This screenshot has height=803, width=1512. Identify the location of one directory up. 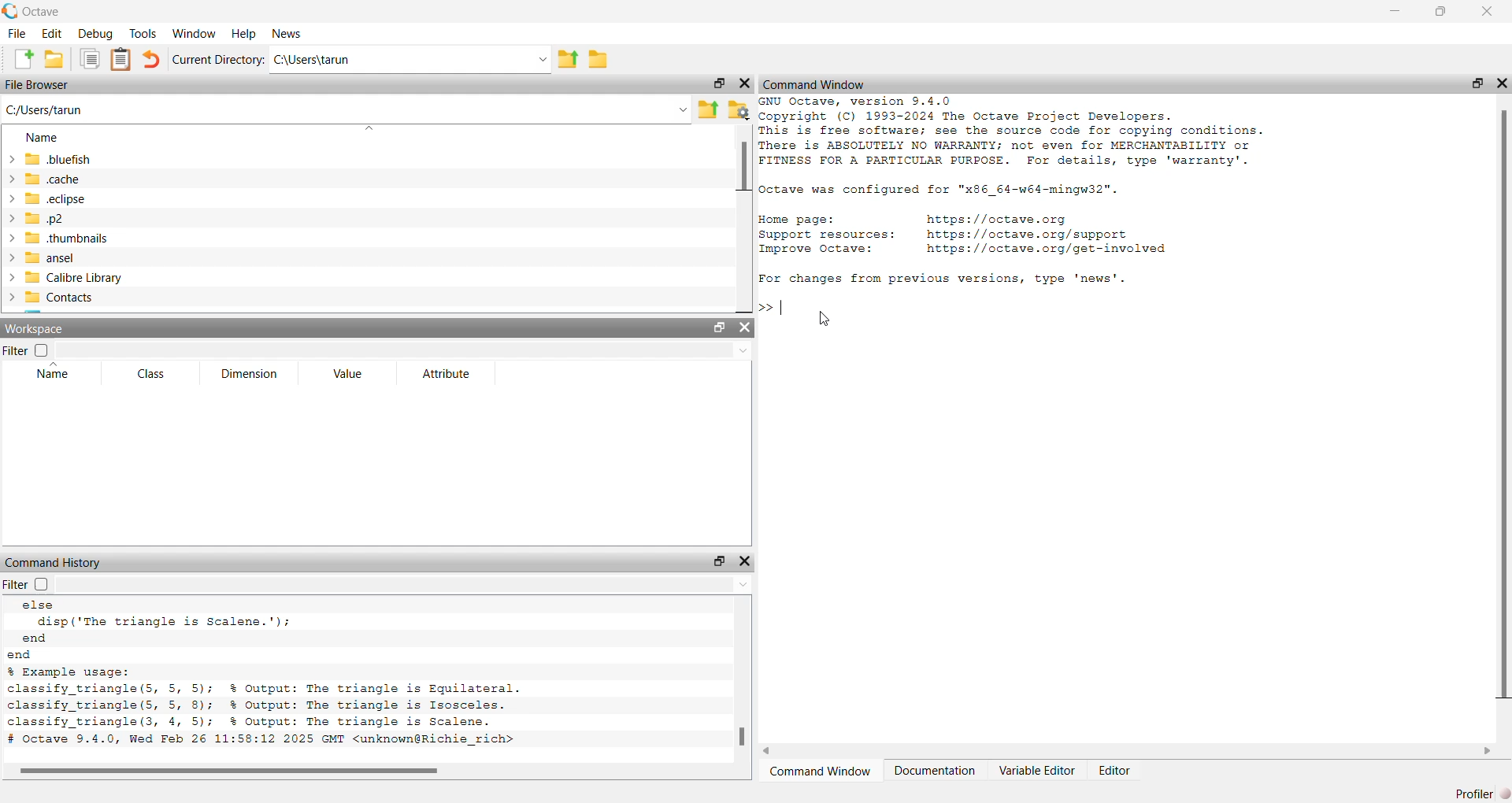
(566, 59).